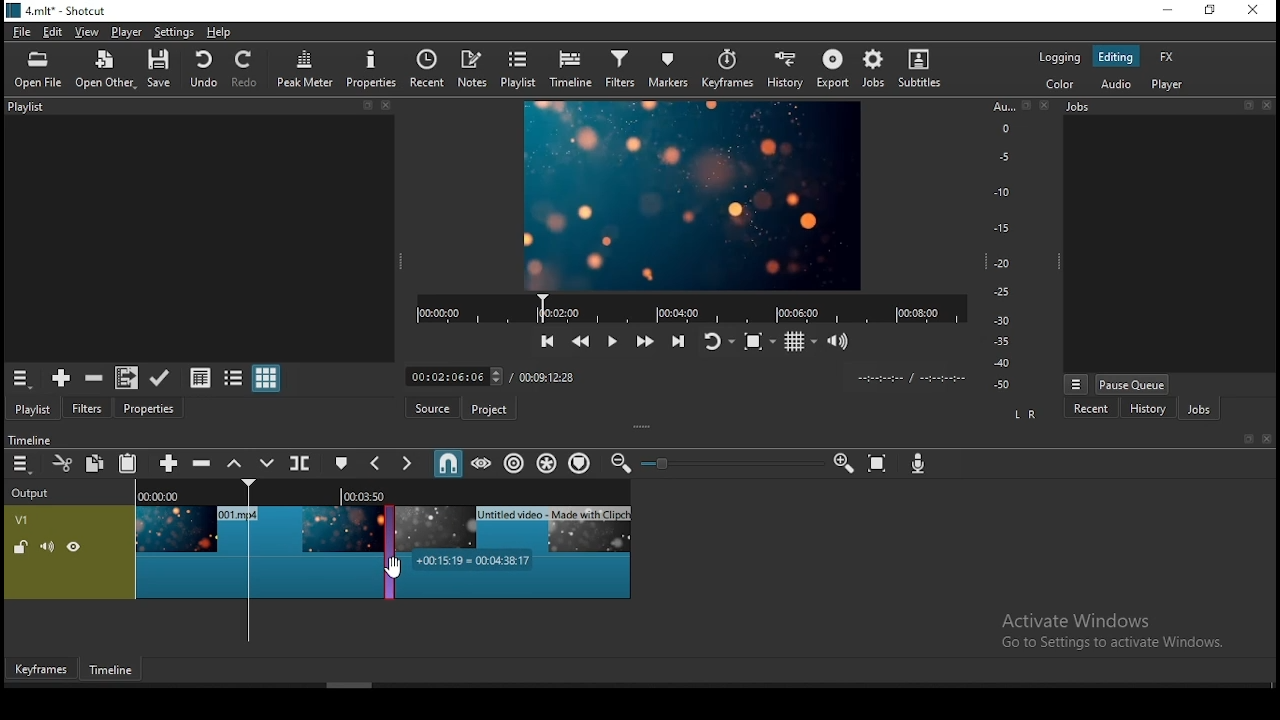 This screenshot has width=1280, height=720. I want to click on project, so click(487, 408).